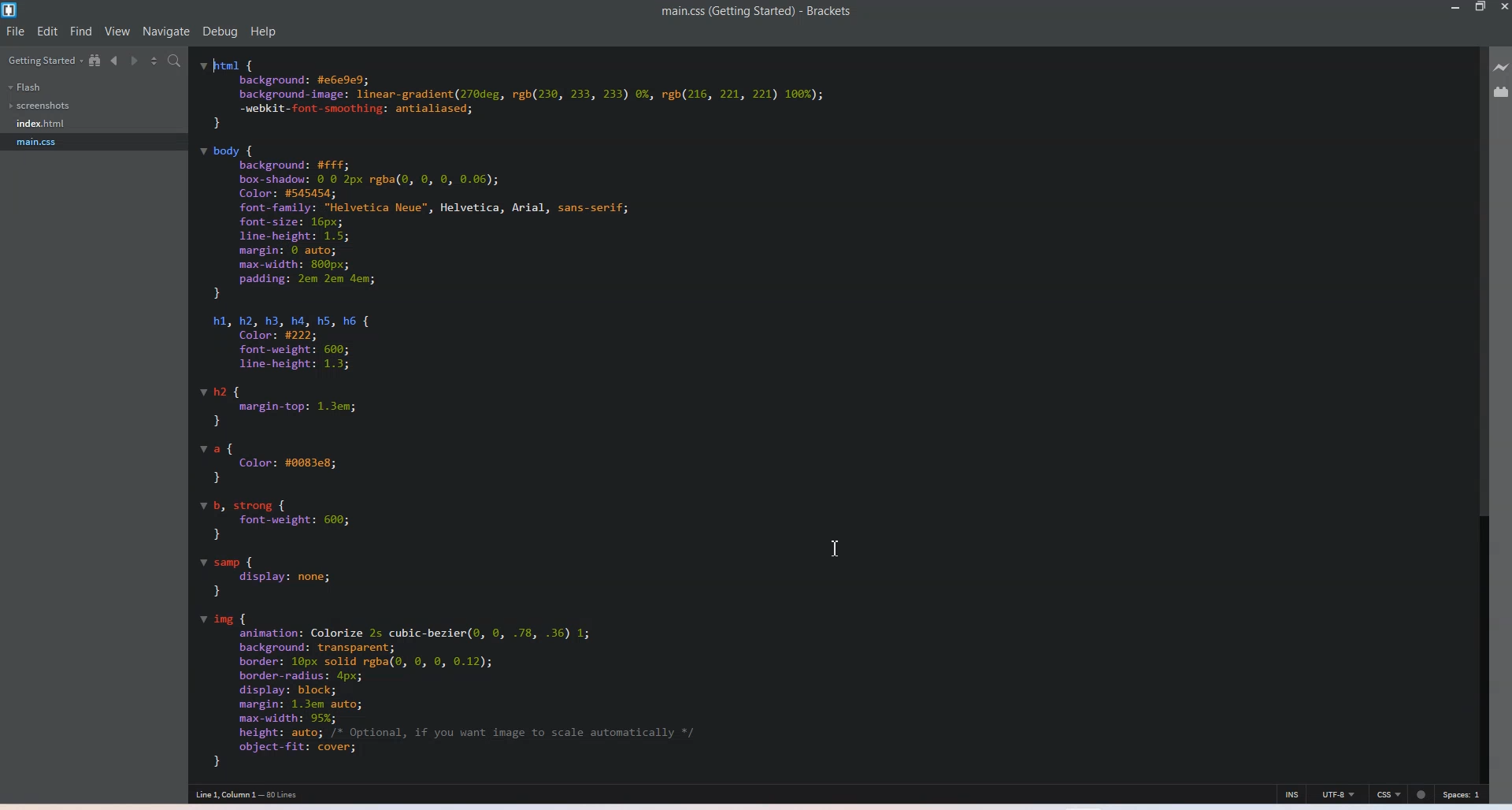 This screenshot has height=810, width=1512. Describe the element at coordinates (113, 61) in the screenshot. I see `Navigate Backwards` at that location.